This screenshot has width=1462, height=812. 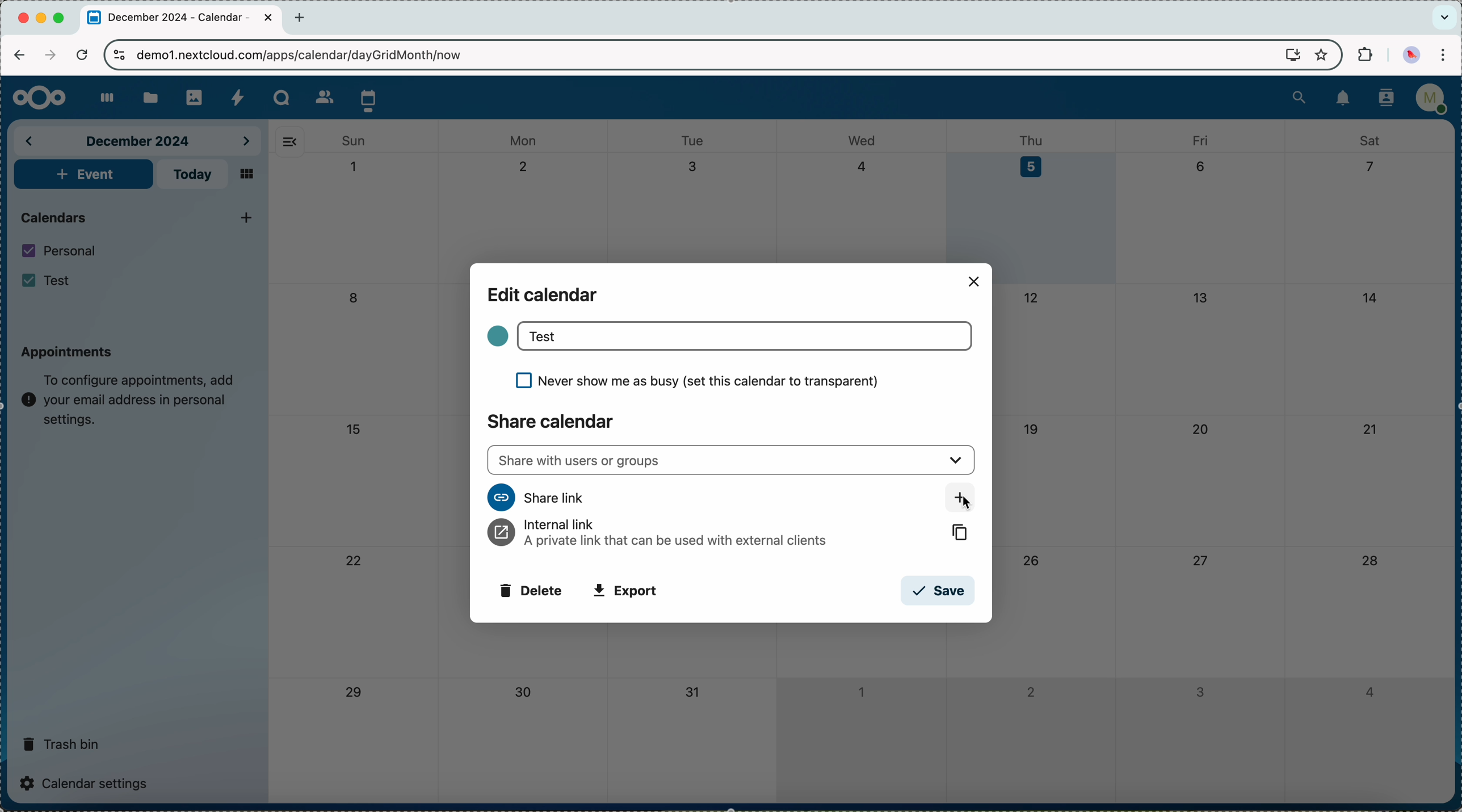 I want to click on calendar settings, so click(x=87, y=782).